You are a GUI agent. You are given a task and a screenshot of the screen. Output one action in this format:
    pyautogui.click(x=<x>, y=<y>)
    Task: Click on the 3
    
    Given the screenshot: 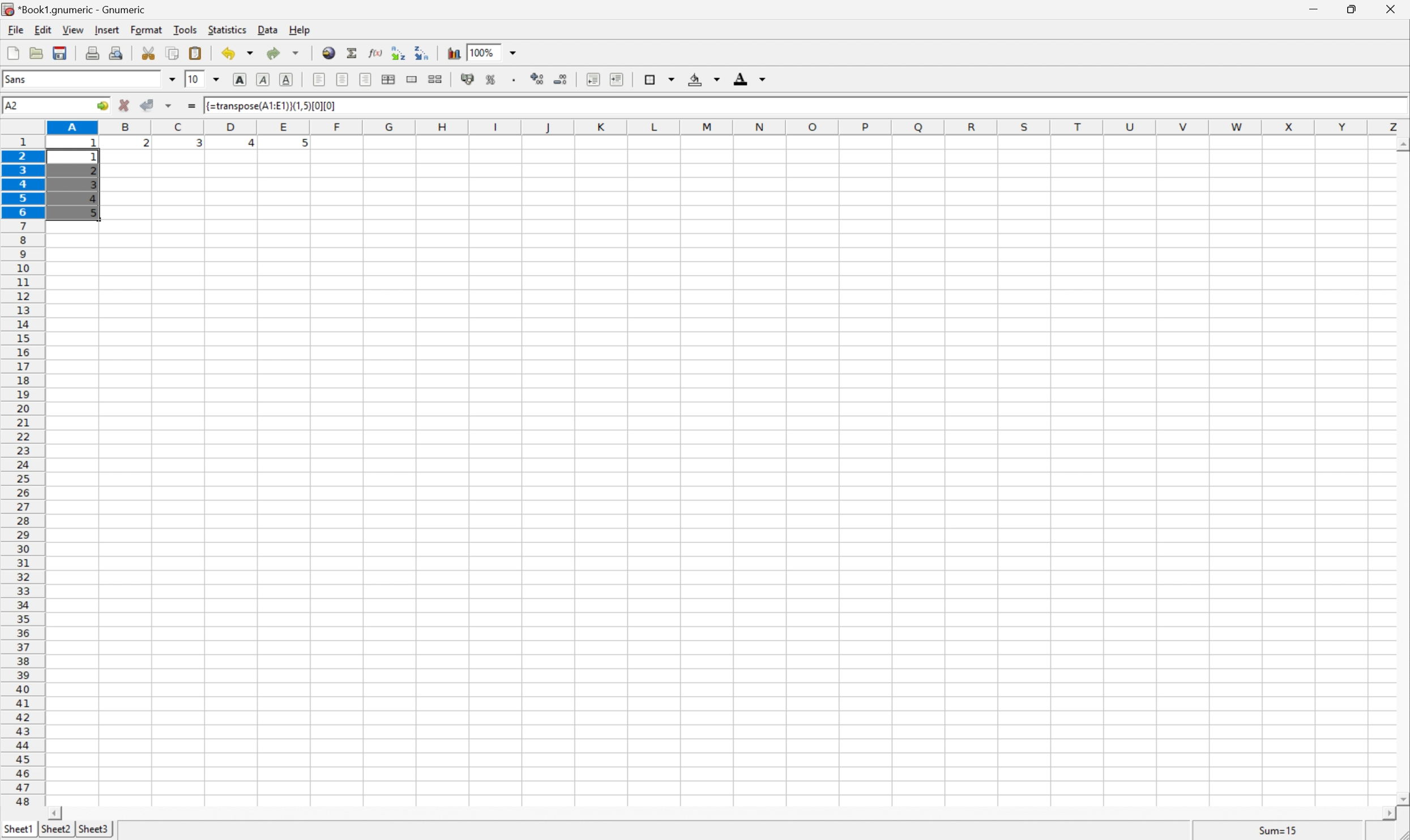 What is the action you would take?
    pyautogui.click(x=95, y=185)
    